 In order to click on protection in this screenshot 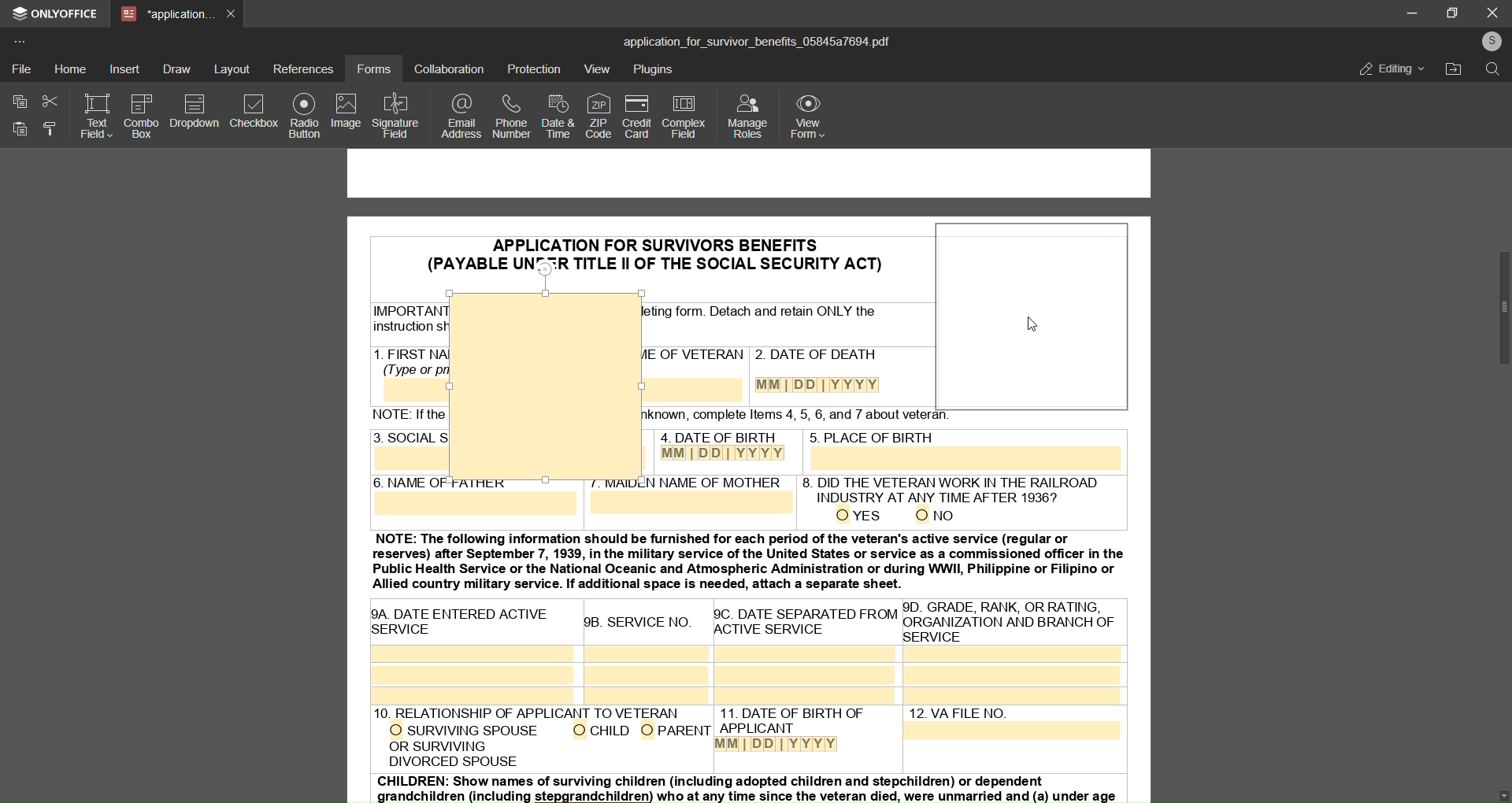, I will do `click(535, 68)`.